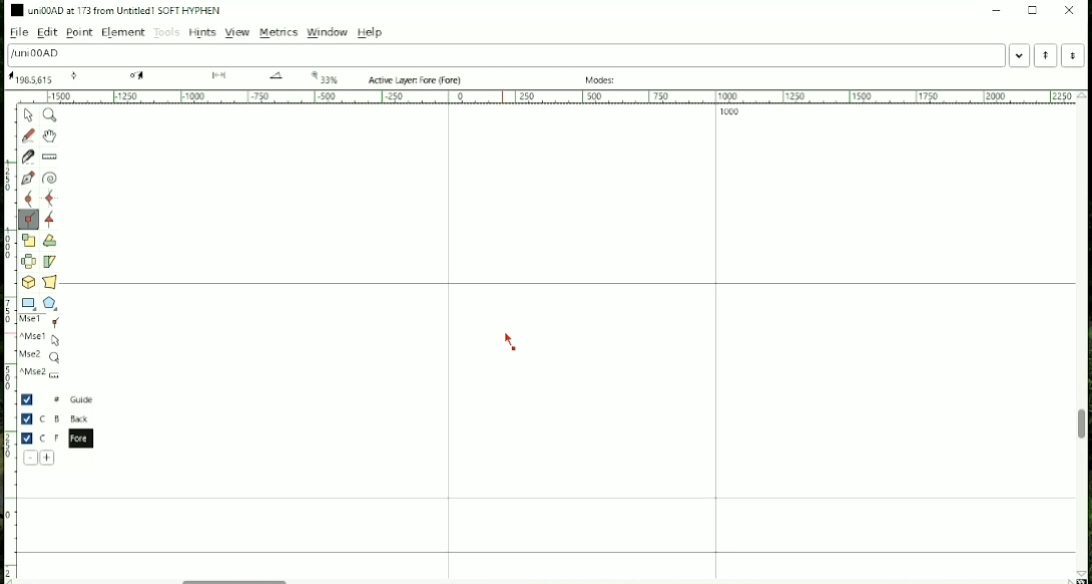 The width and height of the screenshot is (1092, 584). I want to click on Element, so click(122, 33).